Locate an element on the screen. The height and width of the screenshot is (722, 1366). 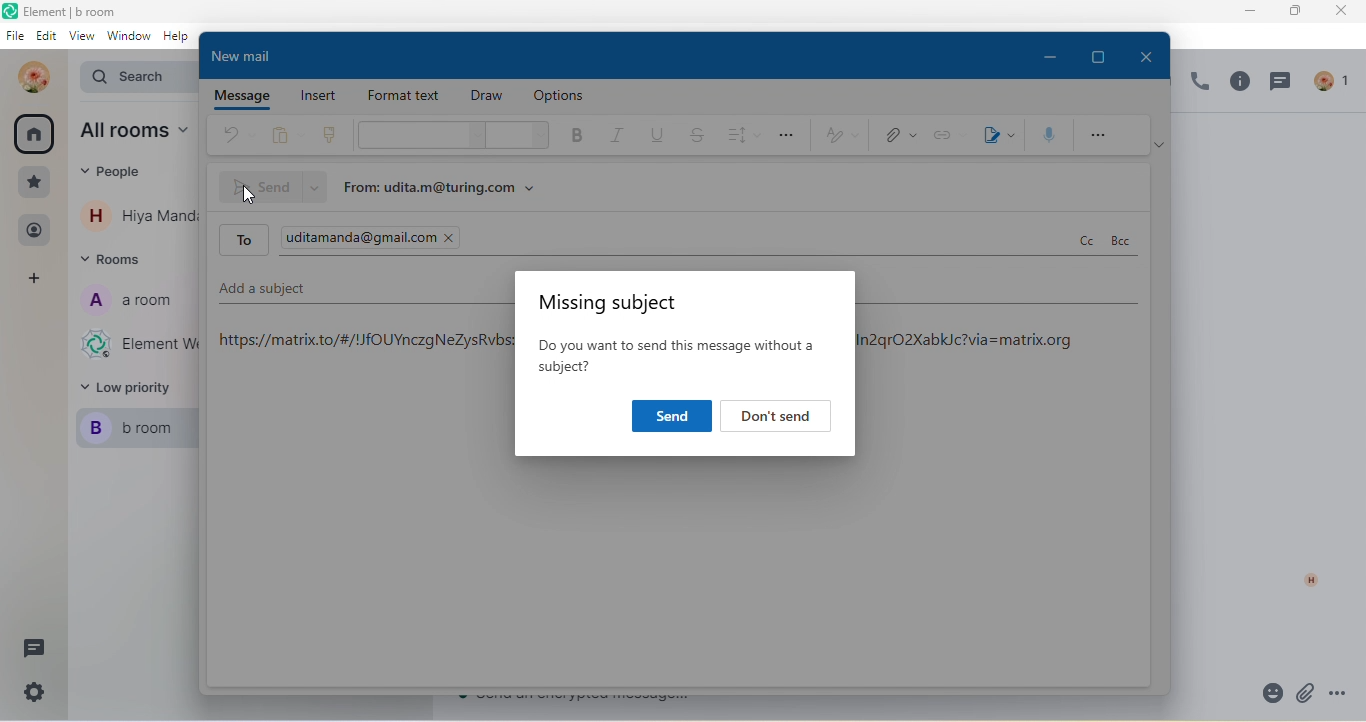
attachment is located at coordinates (896, 136).